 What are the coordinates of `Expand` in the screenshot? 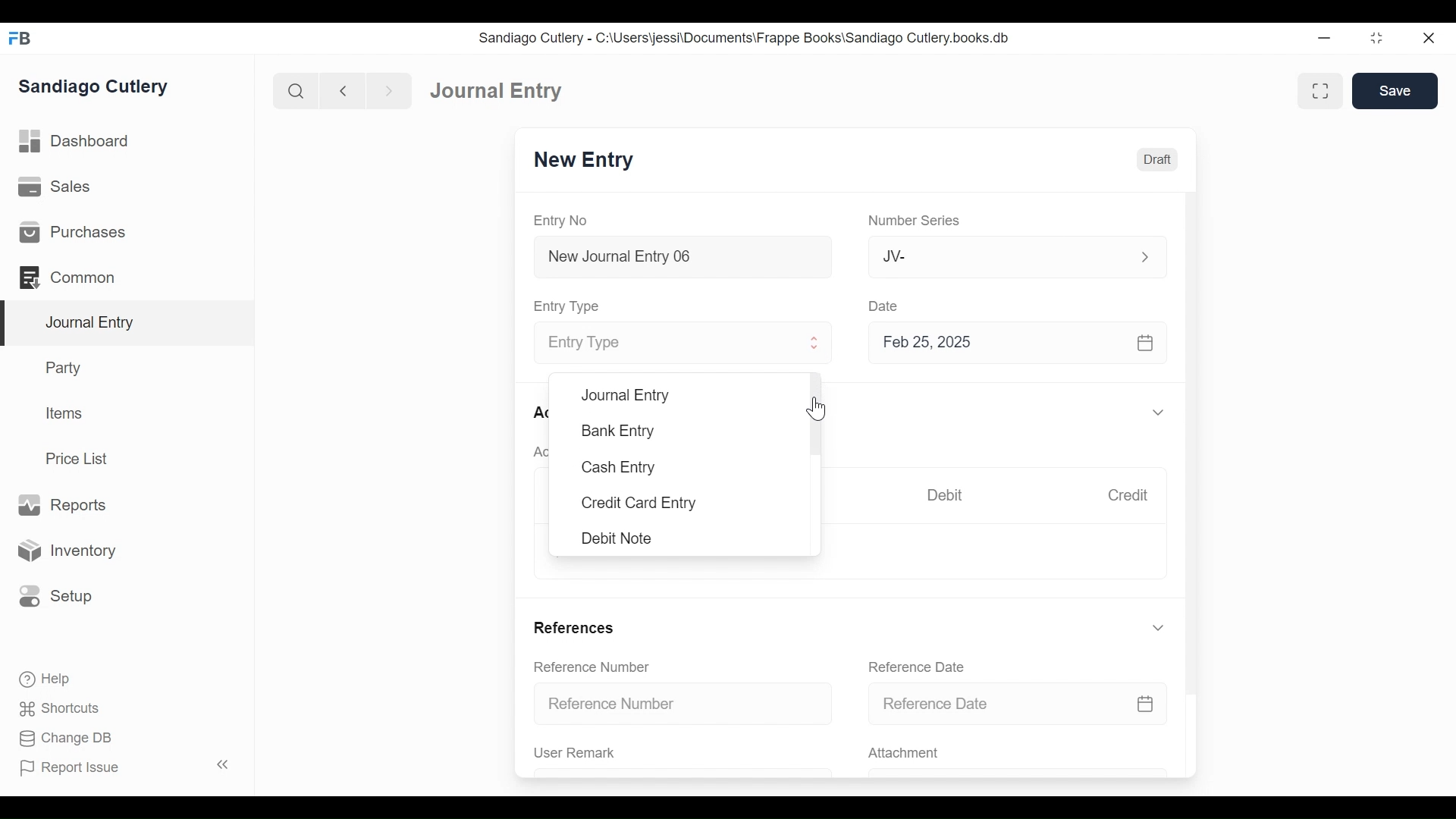 It's located at (1161, 413).